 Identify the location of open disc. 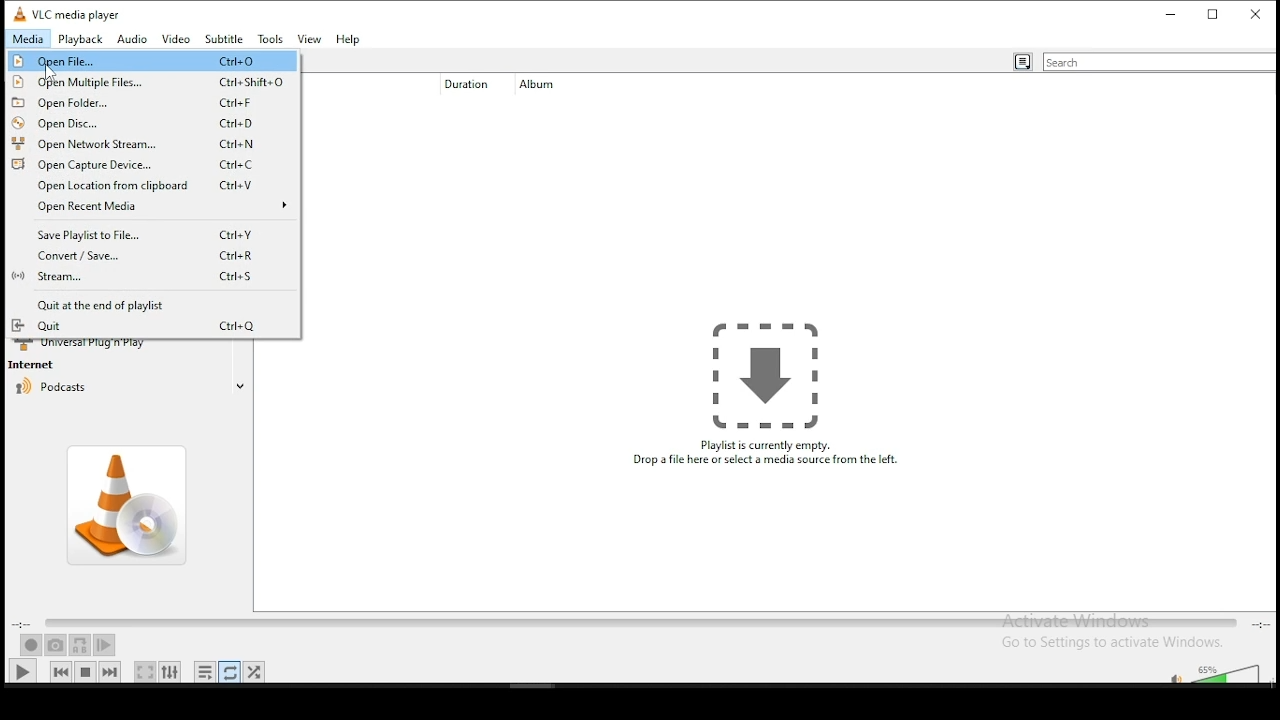
(152, 122).